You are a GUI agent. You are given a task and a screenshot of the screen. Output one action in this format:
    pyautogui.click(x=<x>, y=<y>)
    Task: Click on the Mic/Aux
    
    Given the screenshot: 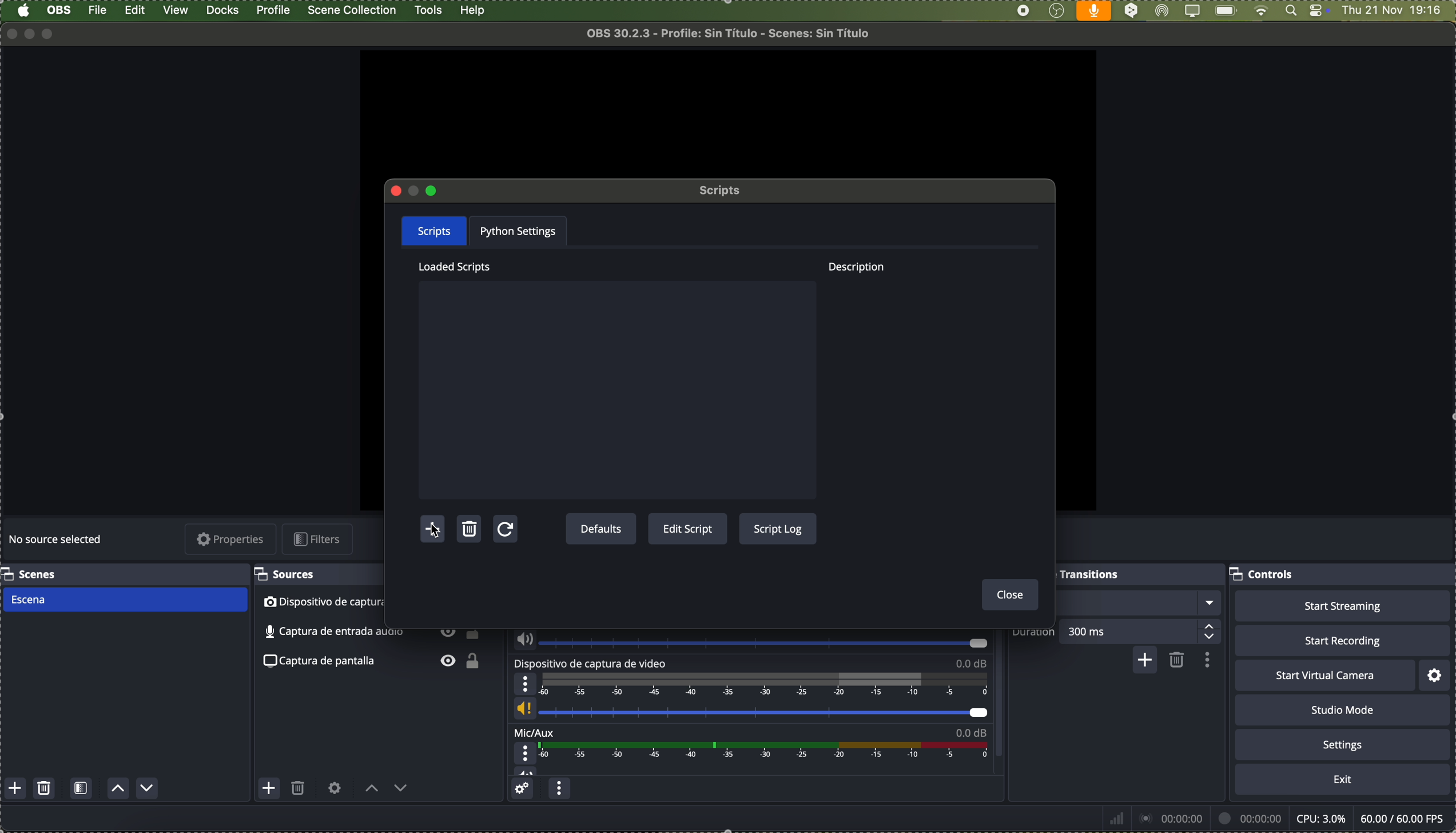 What is the action you would take?
    pyautogui.click(x=747, y=752)
    